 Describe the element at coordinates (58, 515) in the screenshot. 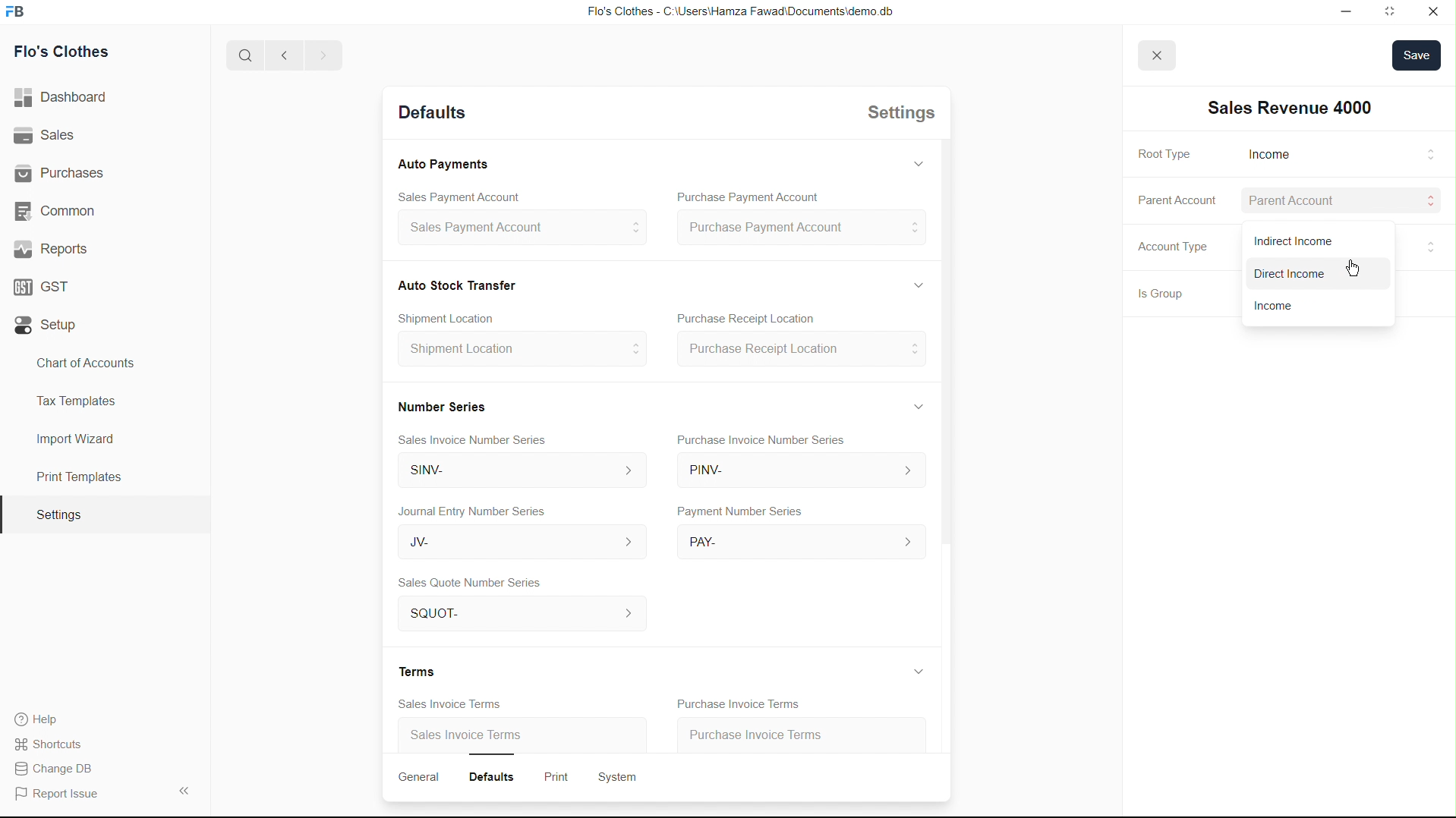

I see `Settings` at that location.